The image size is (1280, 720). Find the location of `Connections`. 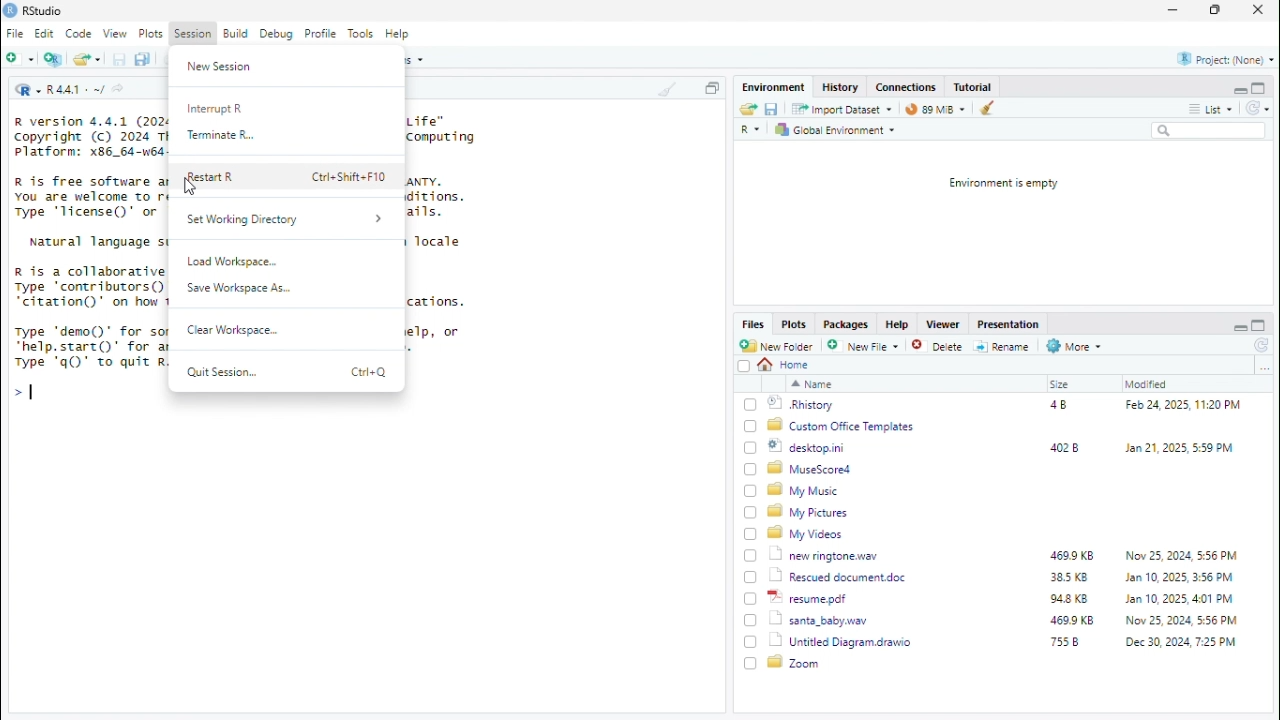

Connections is located at coordinates (907, 86).